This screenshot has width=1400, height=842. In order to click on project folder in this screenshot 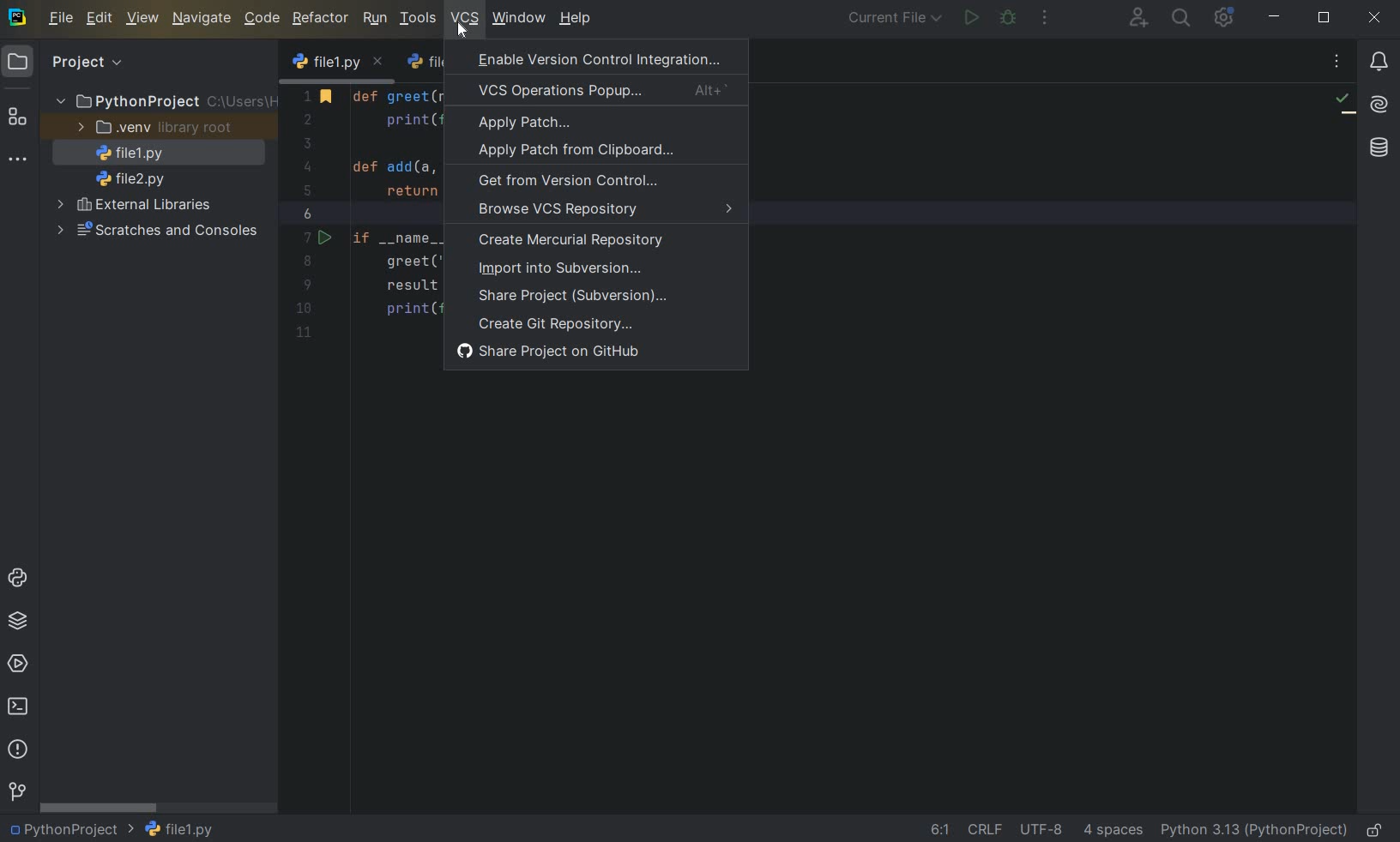, I will do `click(164, 101)`.